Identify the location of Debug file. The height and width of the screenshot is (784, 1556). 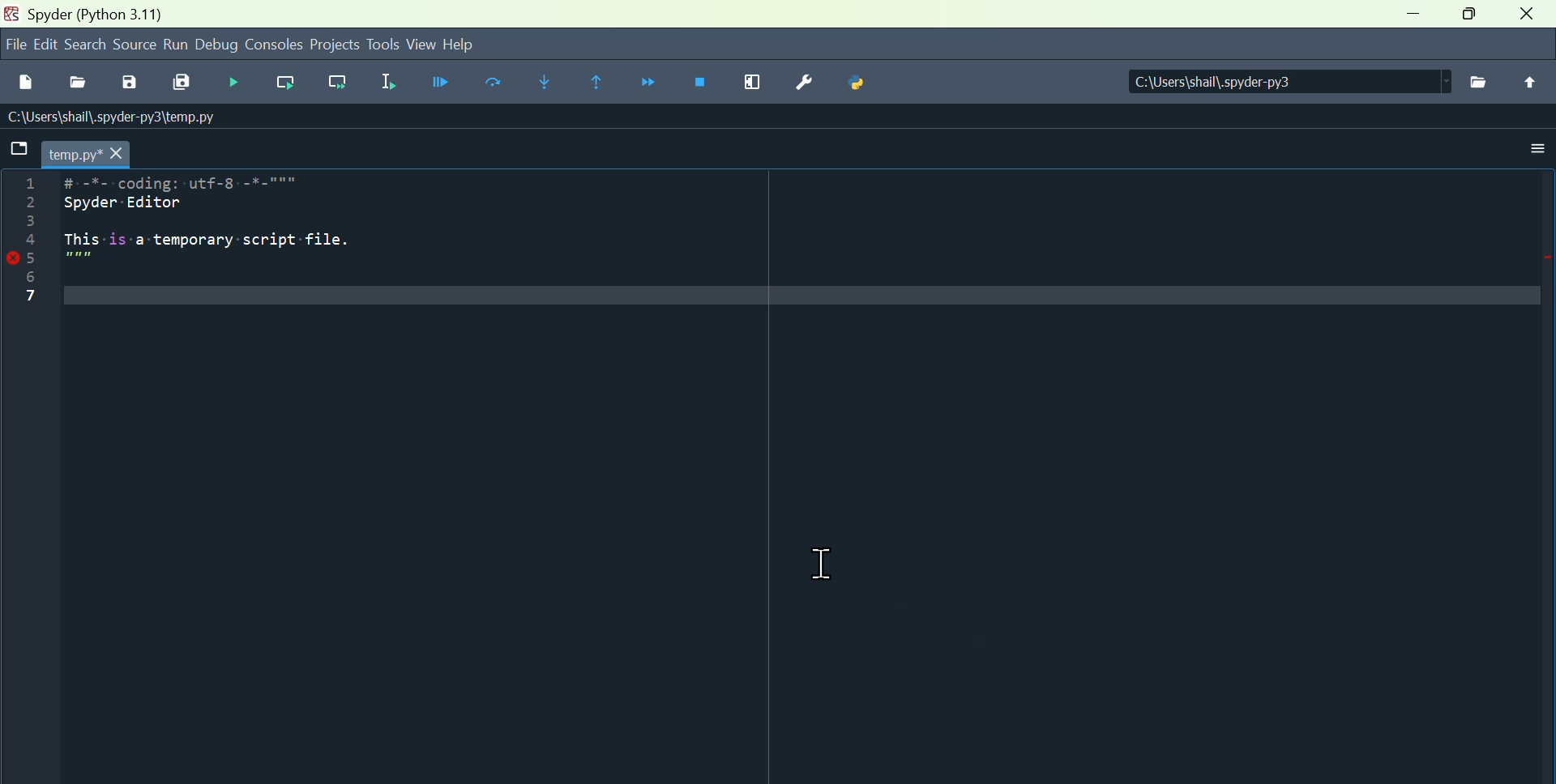
(233, 82).